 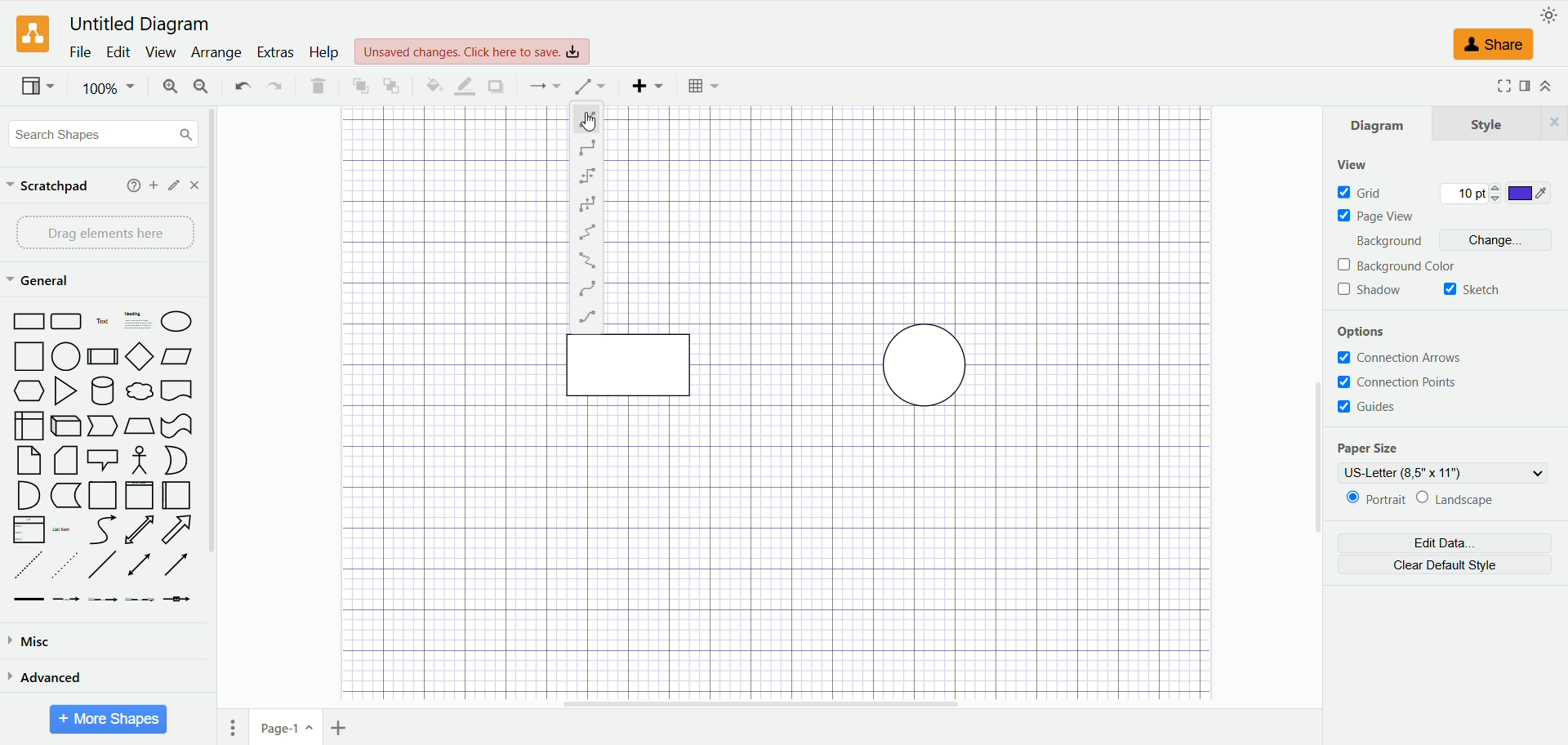 I want to click on horizontal scroll bar, so click(x=766, y=704).